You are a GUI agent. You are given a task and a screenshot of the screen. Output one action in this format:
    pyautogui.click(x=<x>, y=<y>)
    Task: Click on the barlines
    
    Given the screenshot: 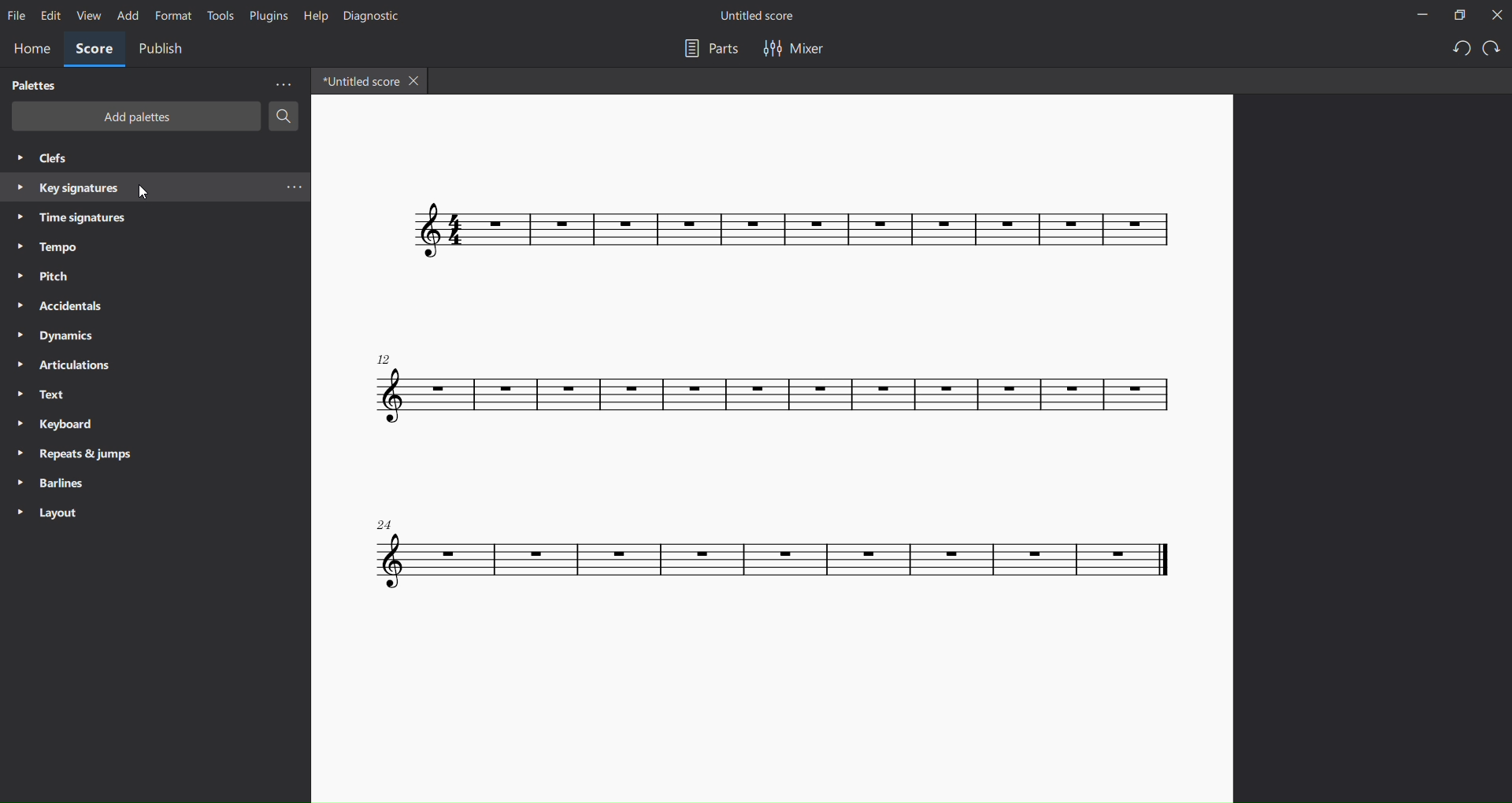 What is the action you would take?
    pyautogui.click(x=51, y=481)
    